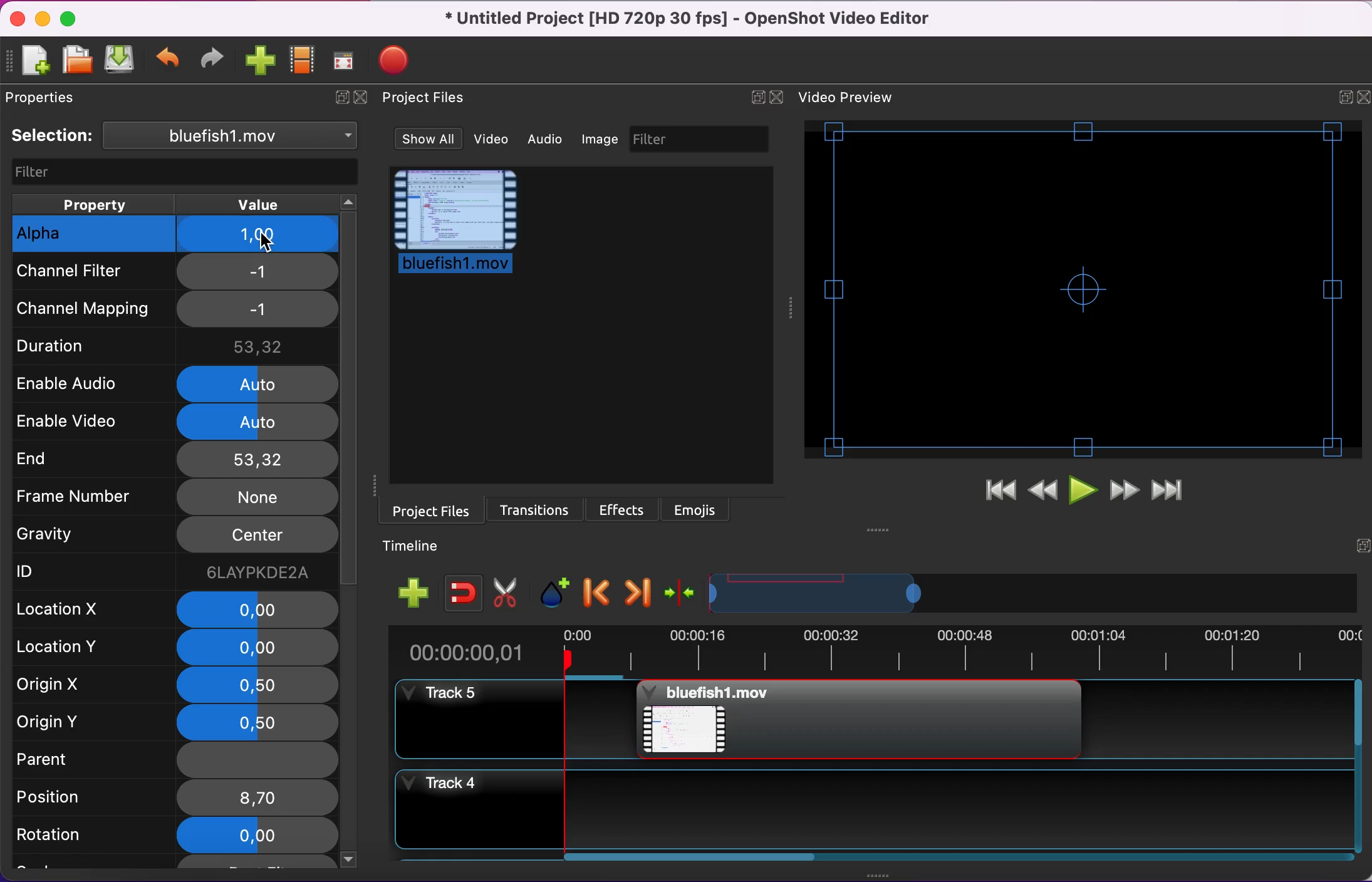 This screenshot has height=882, width=1372. What do you see at coordinates (858, 719) in the screenshot?
I see `Bluefish project file` at bounding box center [858, 719].